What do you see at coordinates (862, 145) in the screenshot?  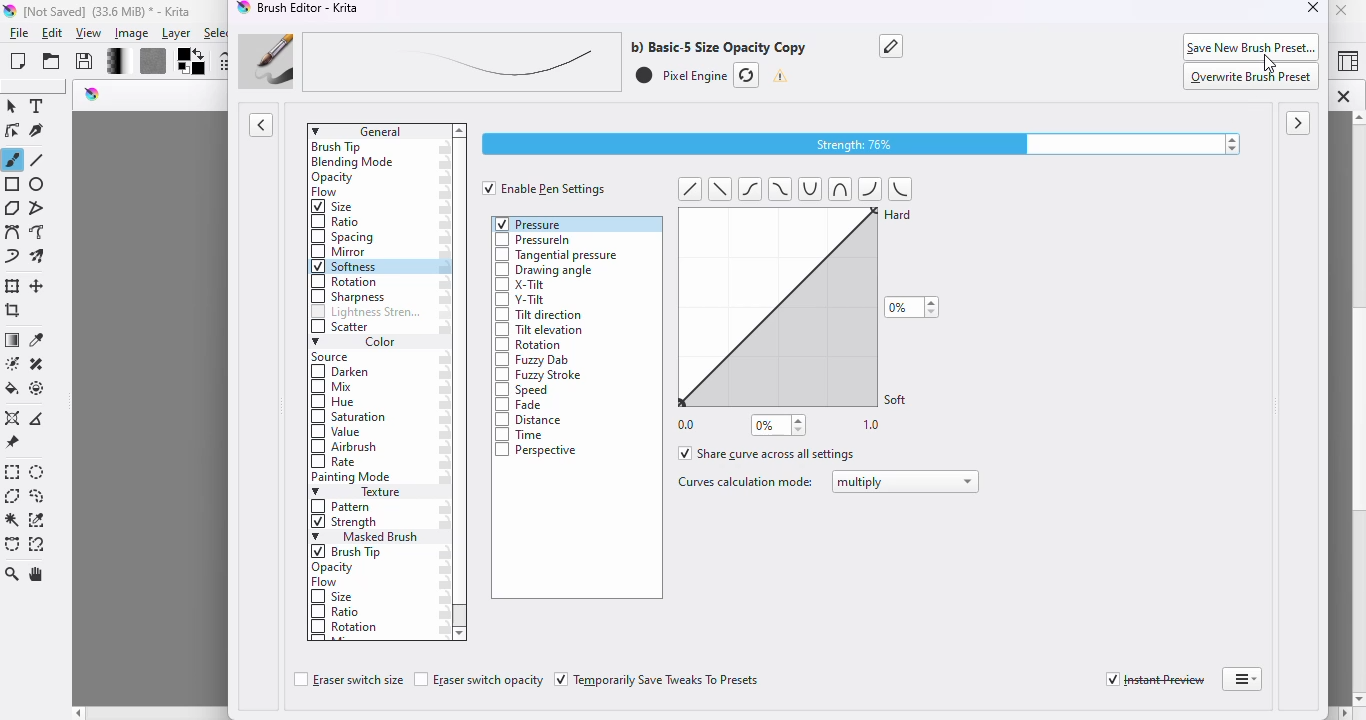 I see `strength 76%` at bounding box center [862, 145].